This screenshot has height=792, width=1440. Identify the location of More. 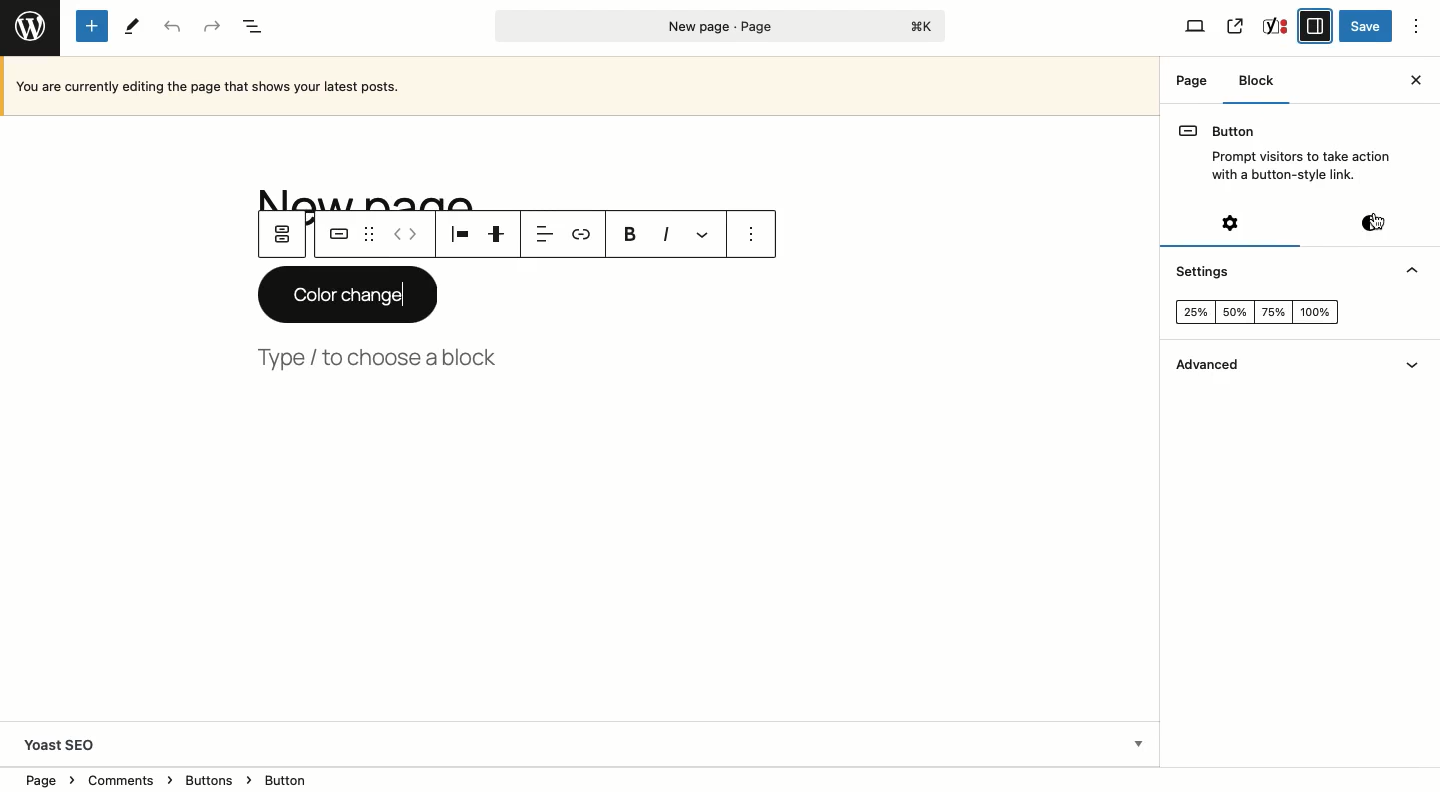
(701, 234).